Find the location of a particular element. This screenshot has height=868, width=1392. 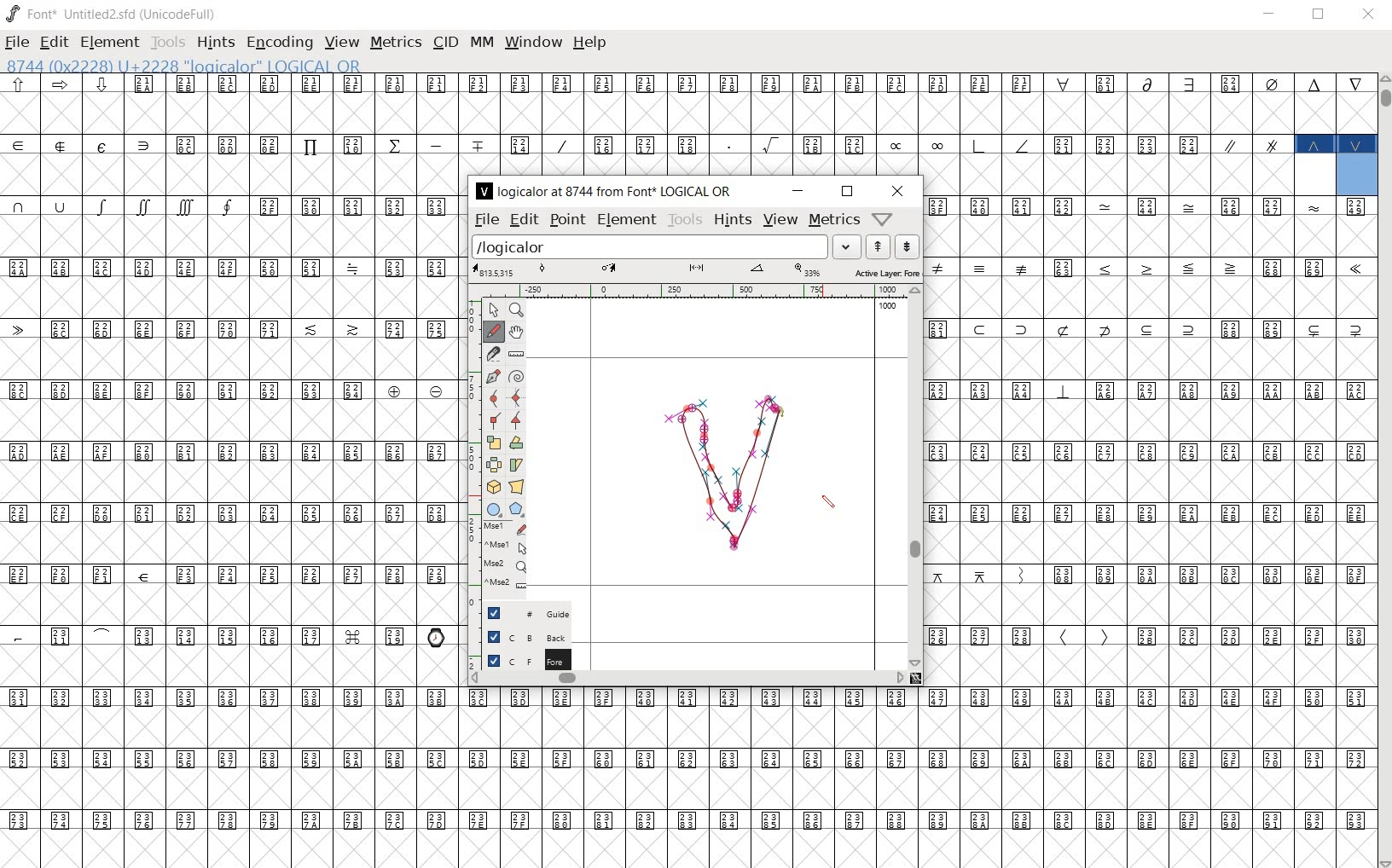

draw a freehand curve is located at coordinates (494, 332).